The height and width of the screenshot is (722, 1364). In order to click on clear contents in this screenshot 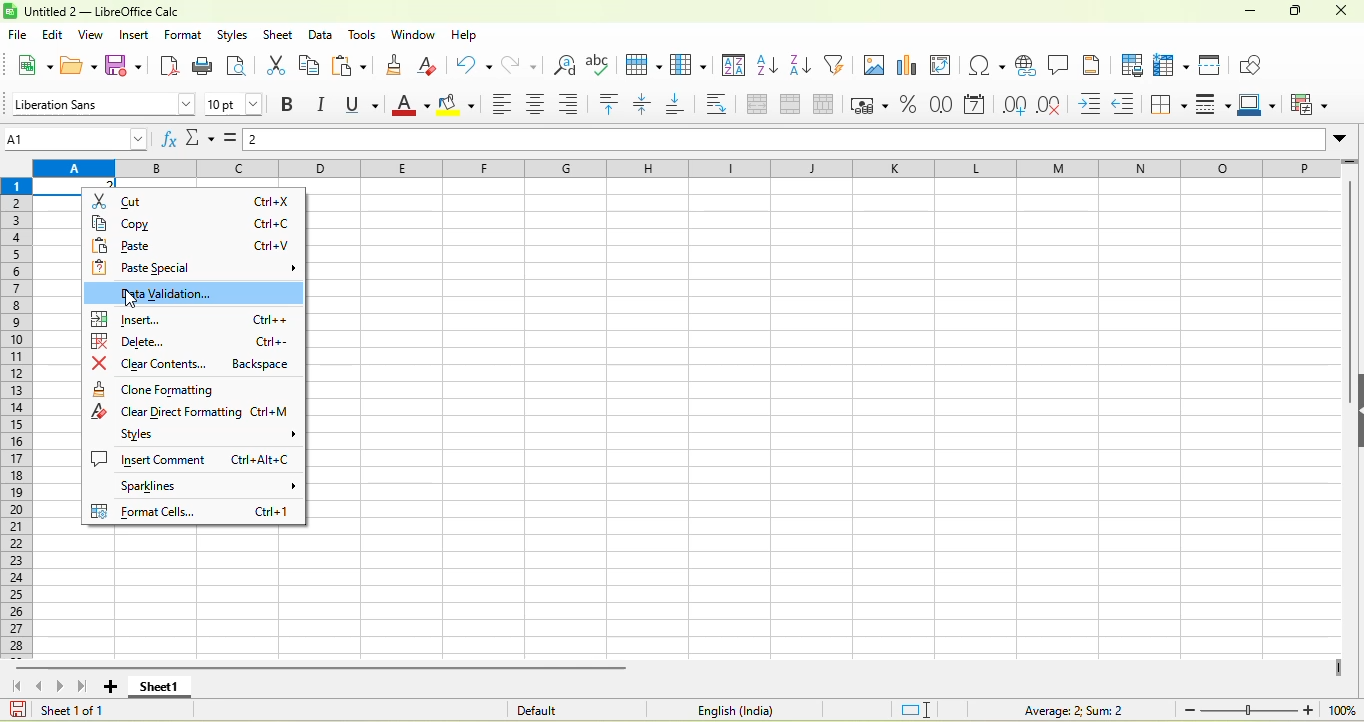, I will do `click(194, 367)`.